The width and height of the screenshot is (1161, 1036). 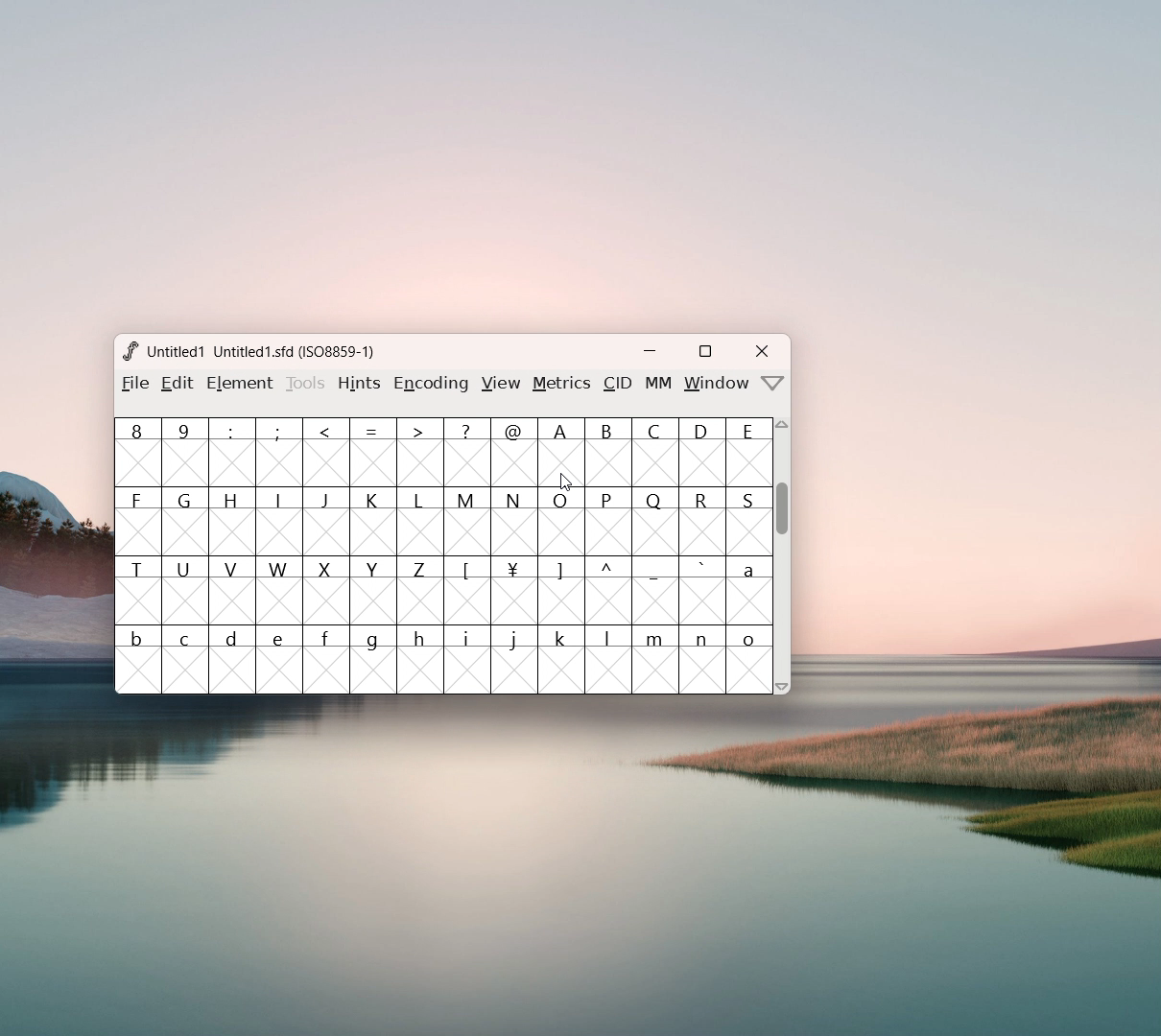 What do you see at coordinates (185, 590) in the screenshot?
I see `U` at bounding box center [185, 590].